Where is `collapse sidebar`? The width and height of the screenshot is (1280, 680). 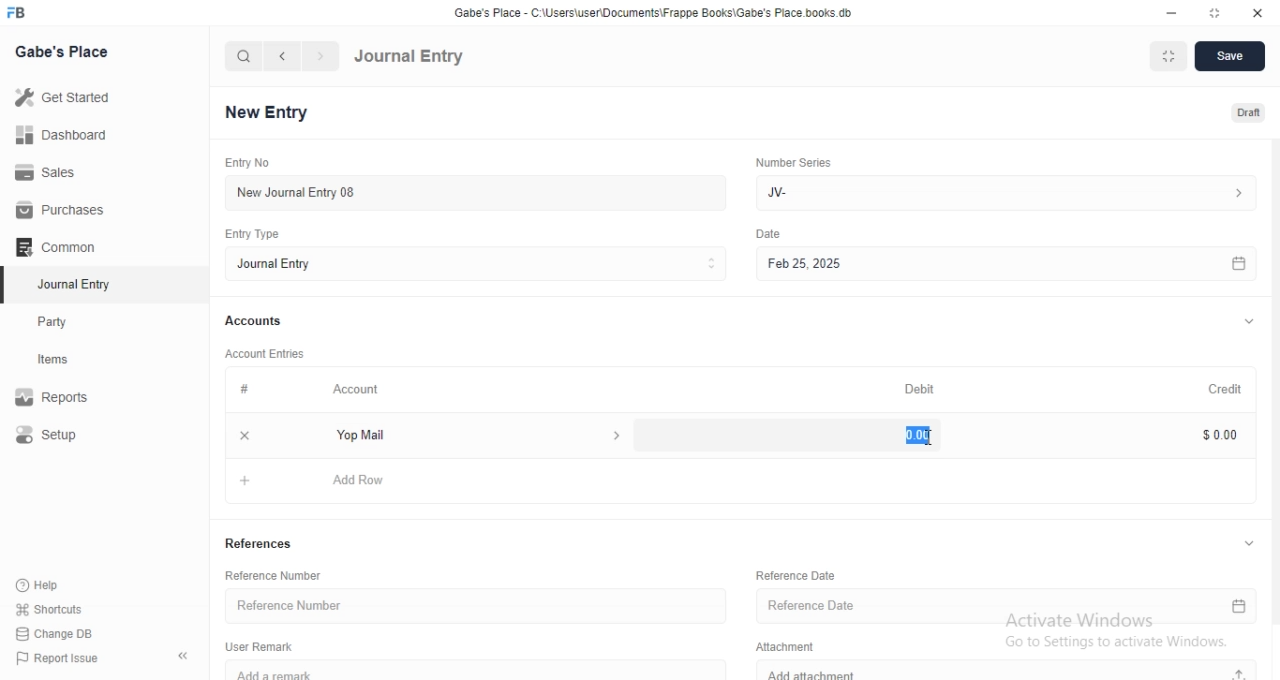 collapse sidebar is located at coordinates (183, 657).